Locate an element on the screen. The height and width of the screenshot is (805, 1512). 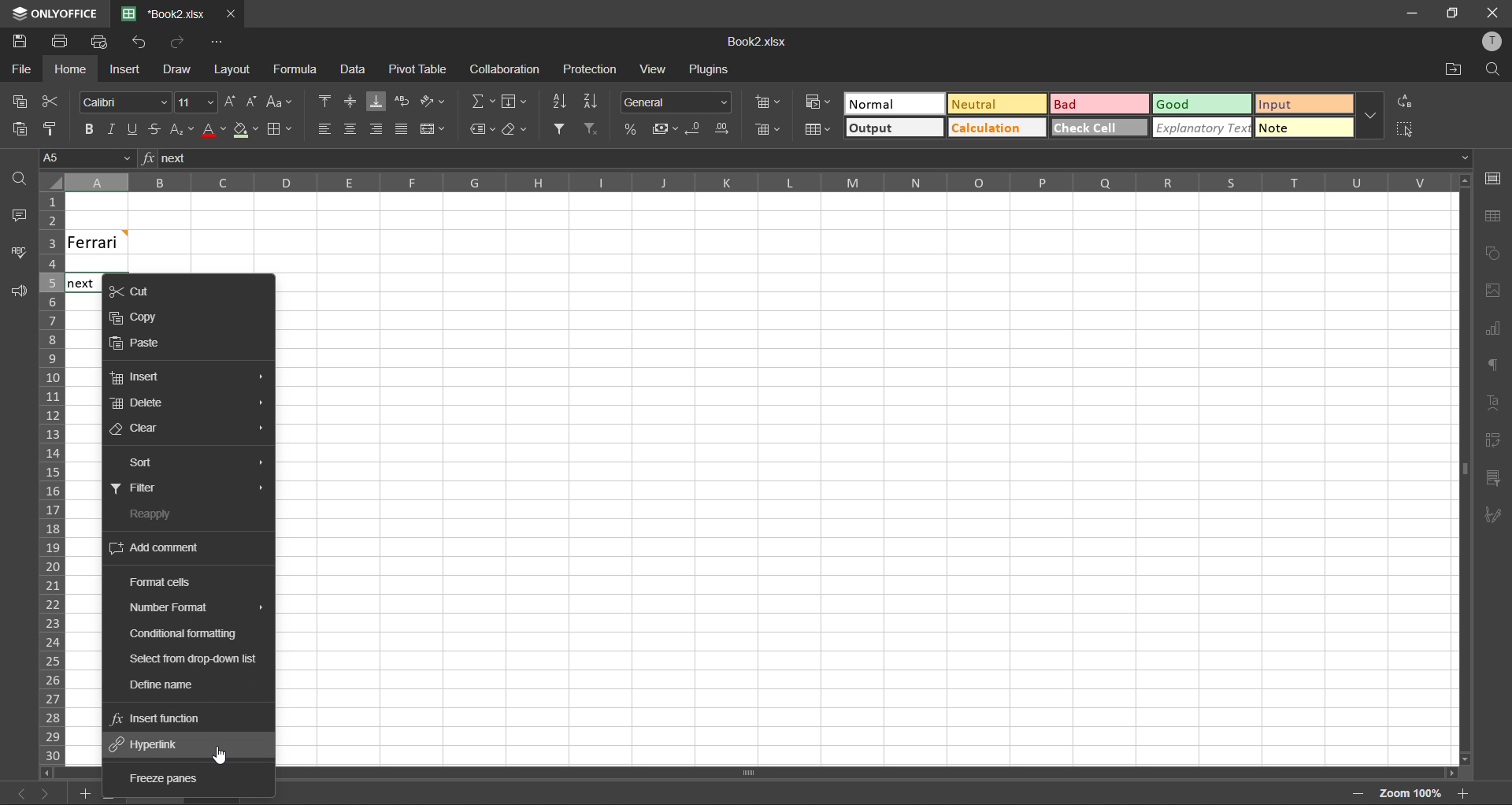
text is located at coordinates (1495, 400).